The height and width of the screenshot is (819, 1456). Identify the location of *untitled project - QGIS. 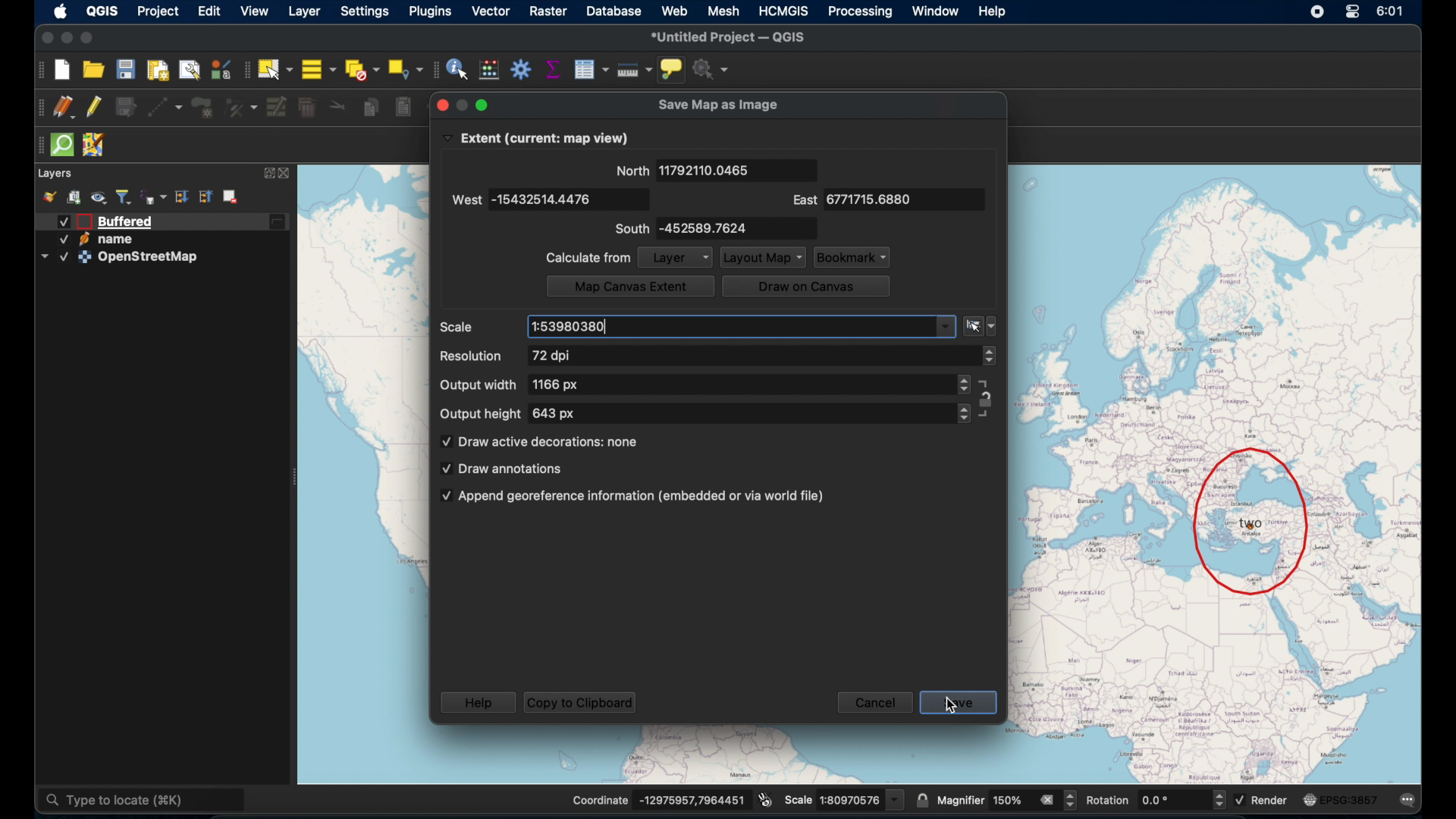
(732, 37).